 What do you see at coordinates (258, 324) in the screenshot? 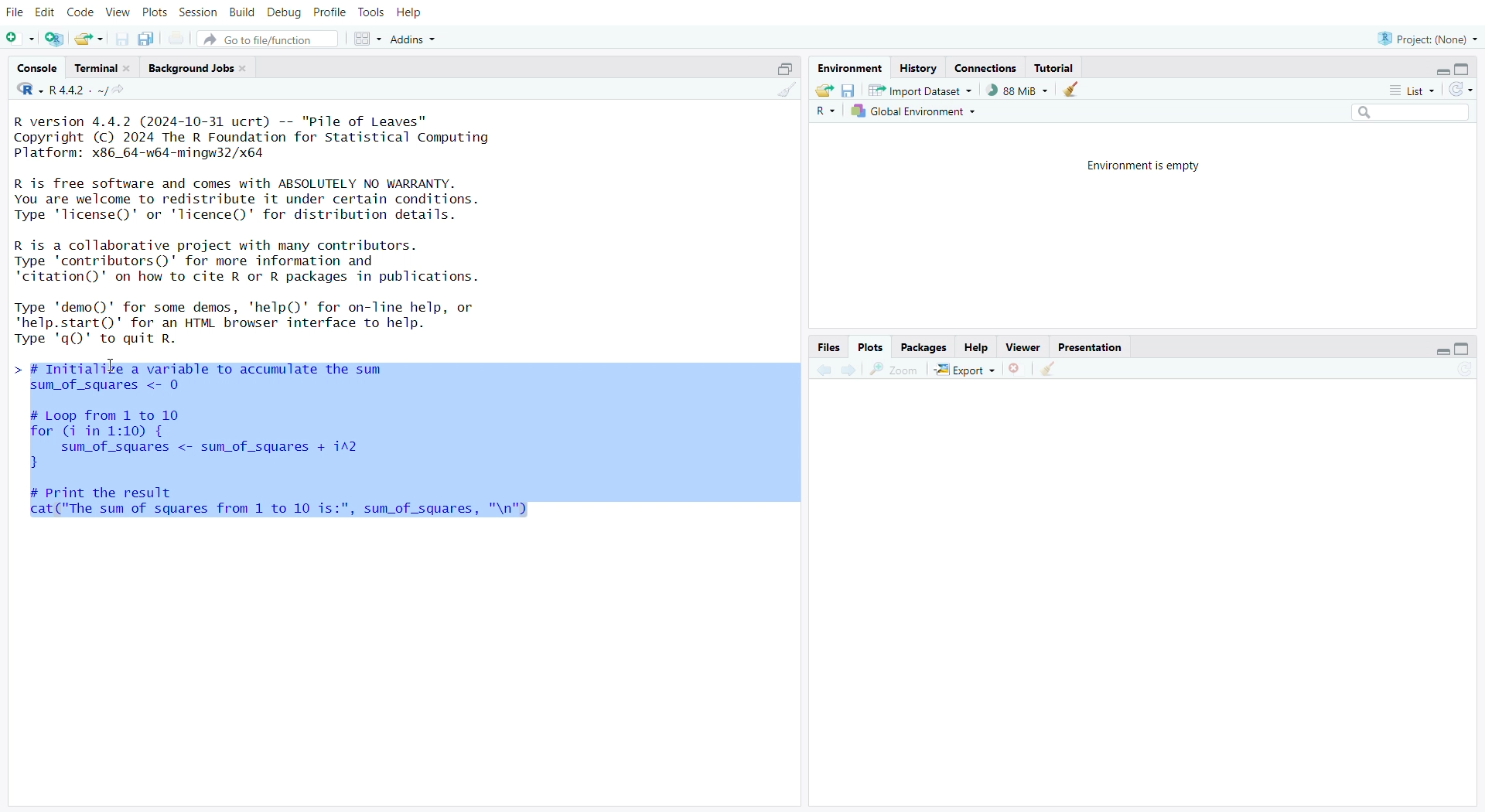
I see `Type 'demo()' for some demos, 'help()' for on-line help, orhelp.start()' for an HTML browser interface to help.Type 'q() to quit R.` at bounding box center [258, 324].